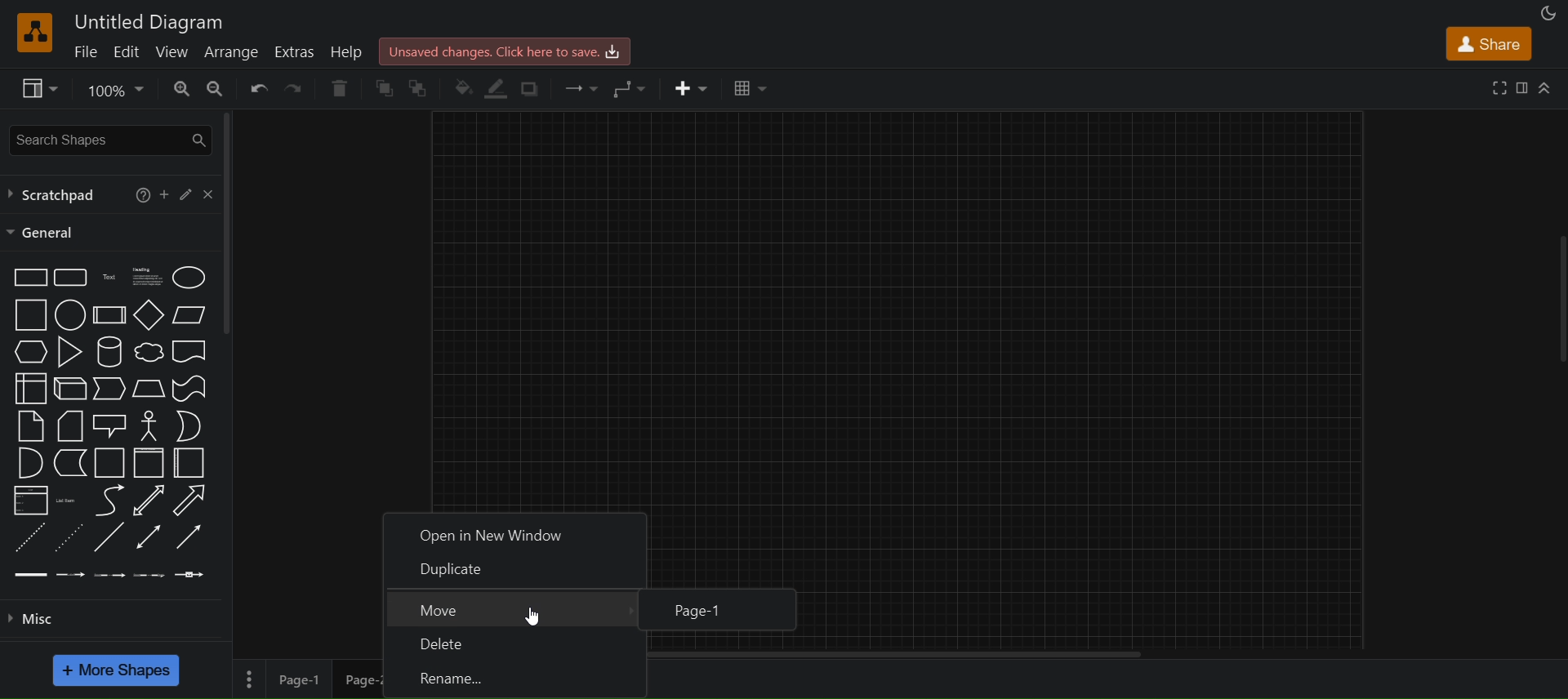  I want to click on parallelogram, so click(190, 314).